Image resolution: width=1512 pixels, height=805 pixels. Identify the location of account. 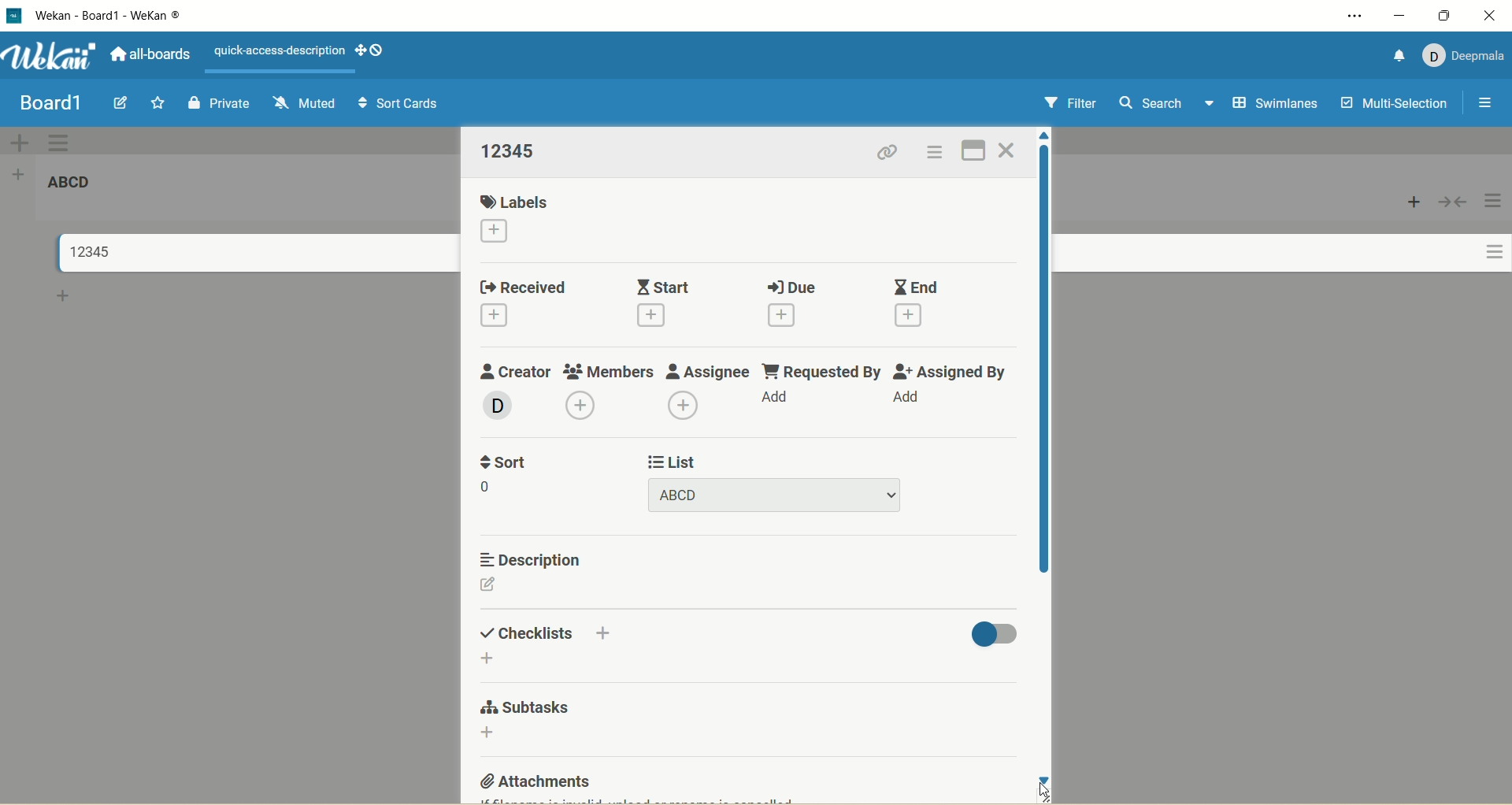
(1463, 52).